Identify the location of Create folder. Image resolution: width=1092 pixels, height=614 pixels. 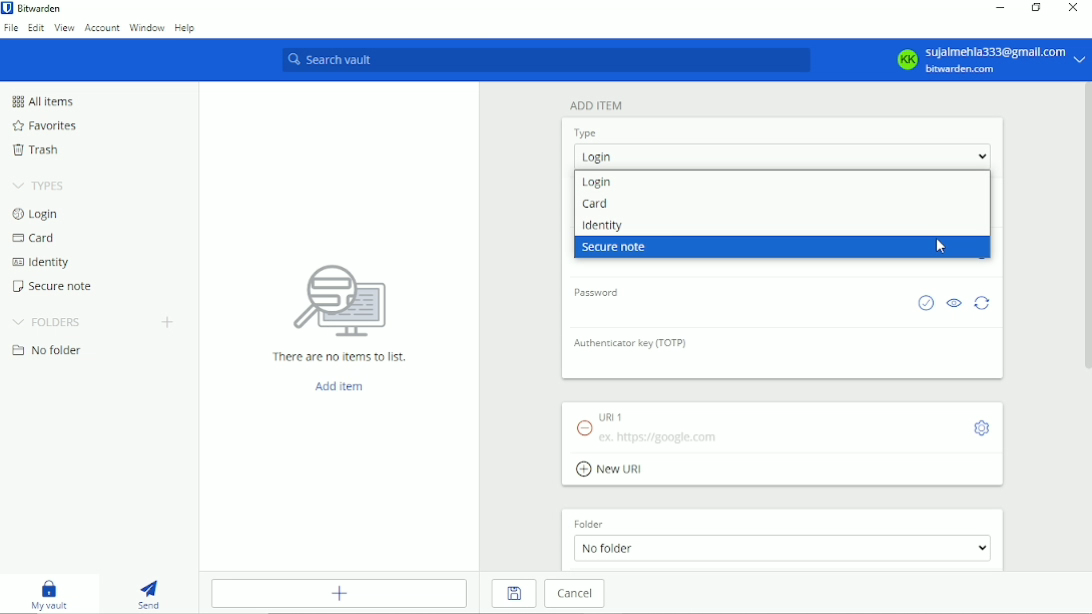
(167, 321).